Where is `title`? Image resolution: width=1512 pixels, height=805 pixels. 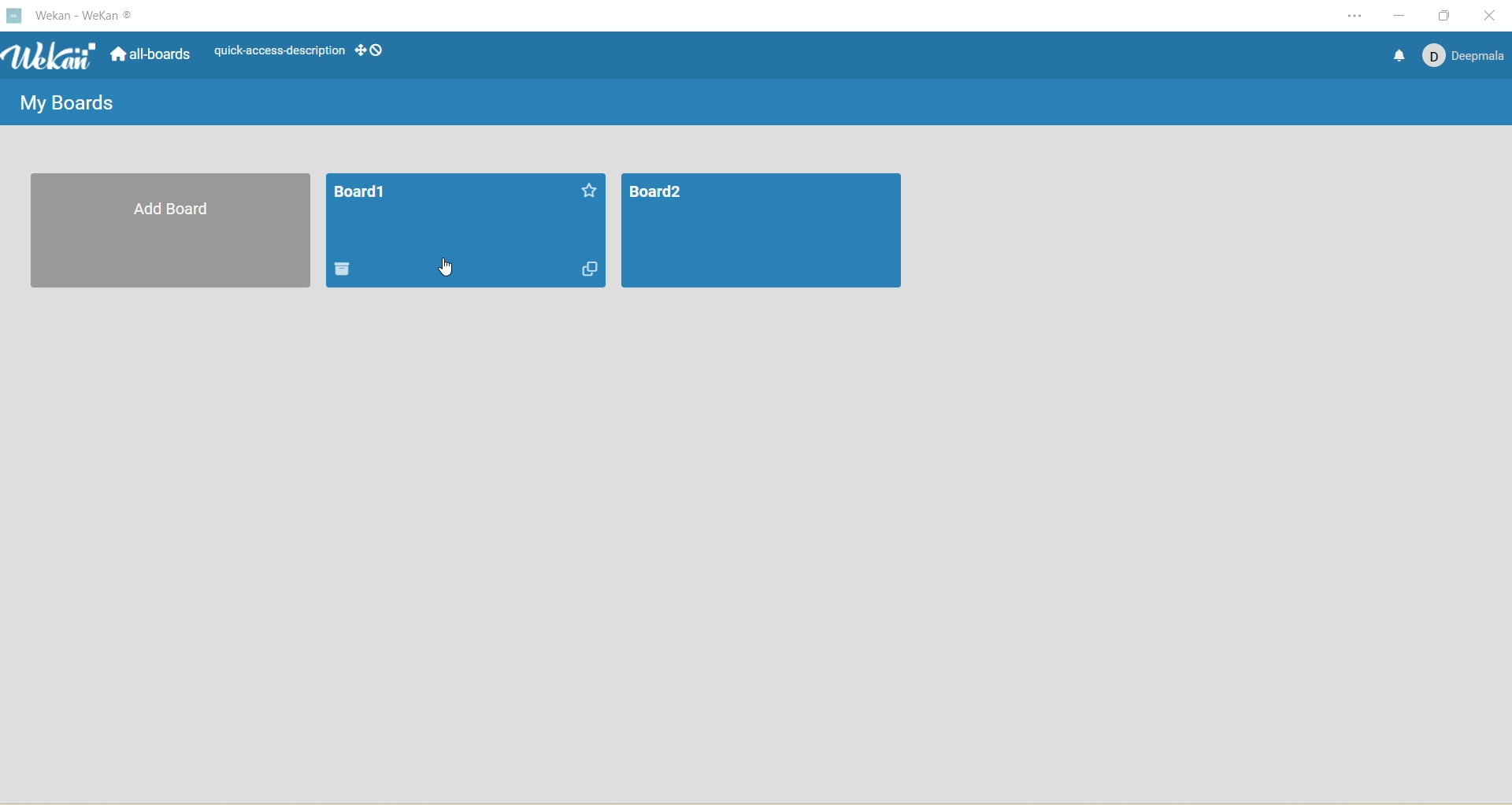 title is located at coordinates (82, 17).